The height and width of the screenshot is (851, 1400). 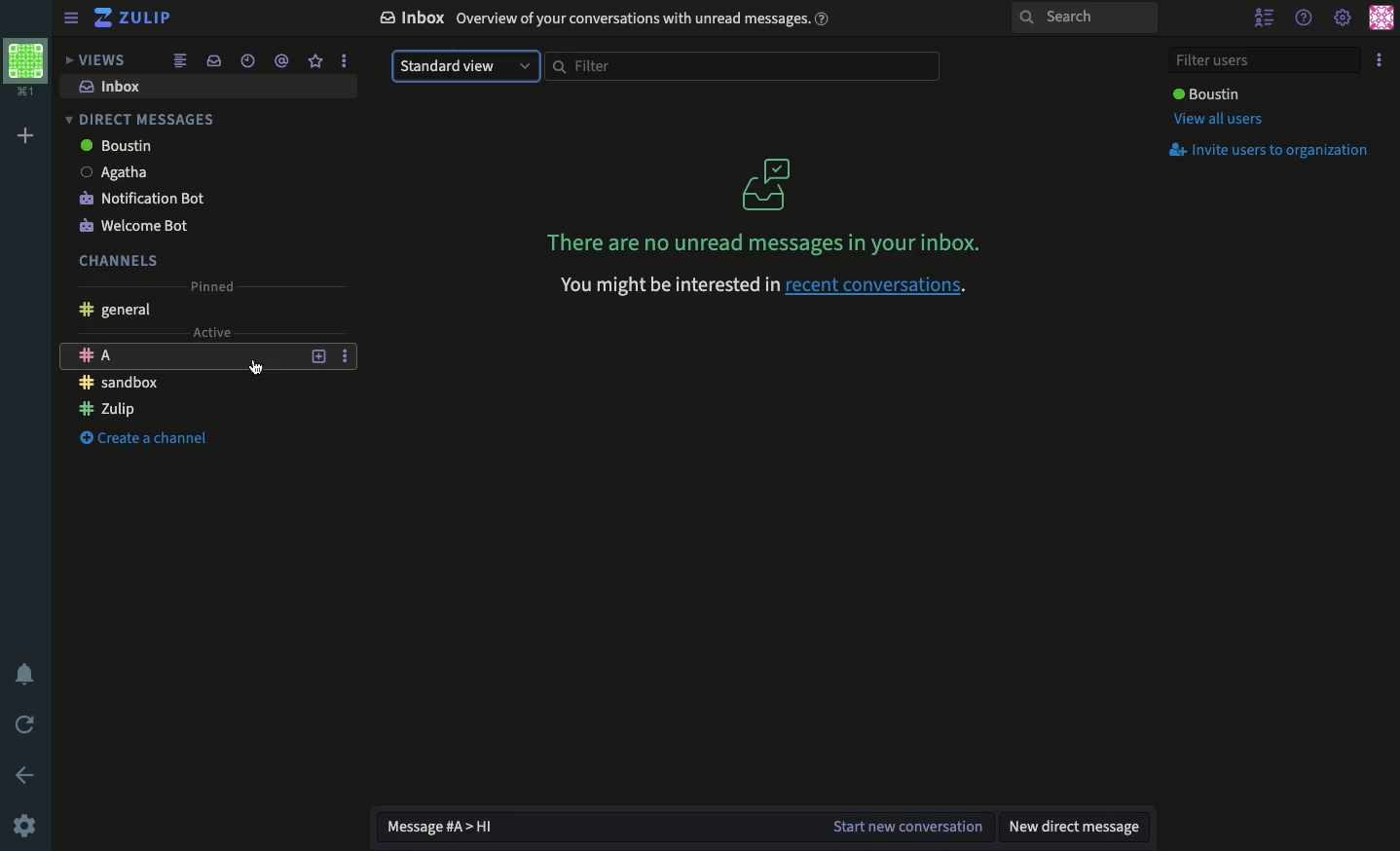 I want to click on Channel Zulip , so click(x=186, y=411).